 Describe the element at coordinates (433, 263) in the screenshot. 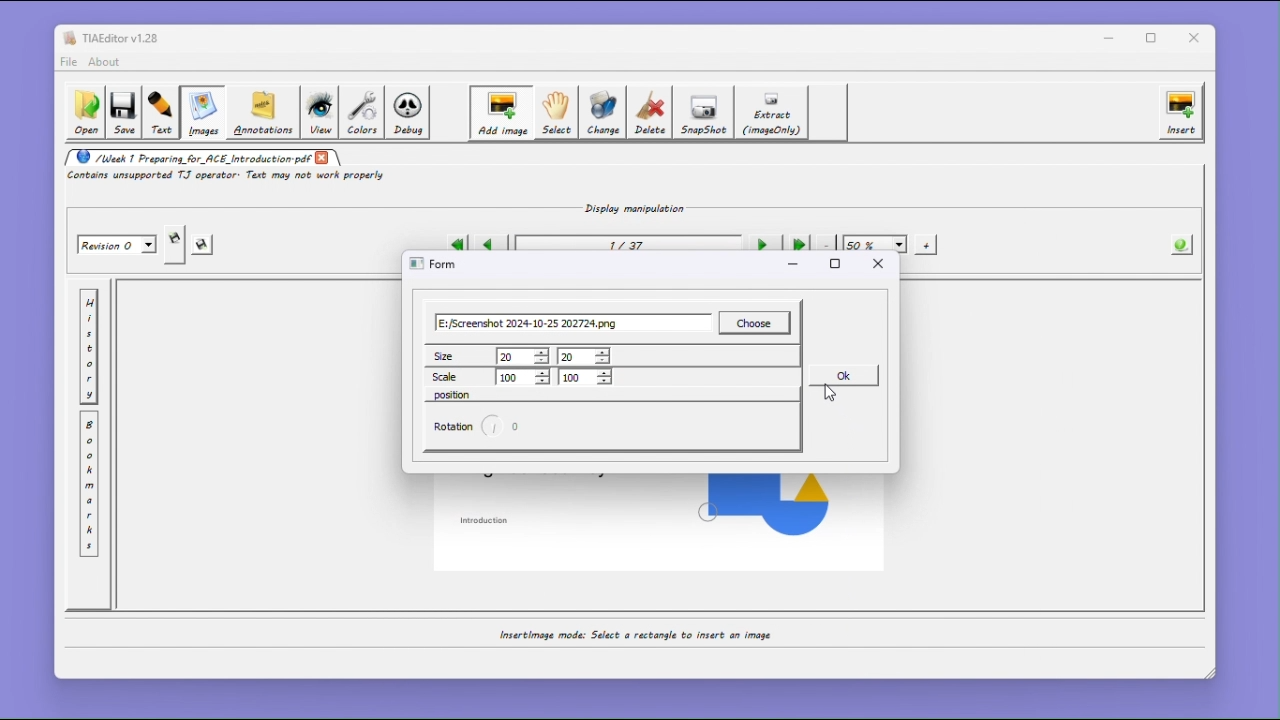

I see `form` at that location.